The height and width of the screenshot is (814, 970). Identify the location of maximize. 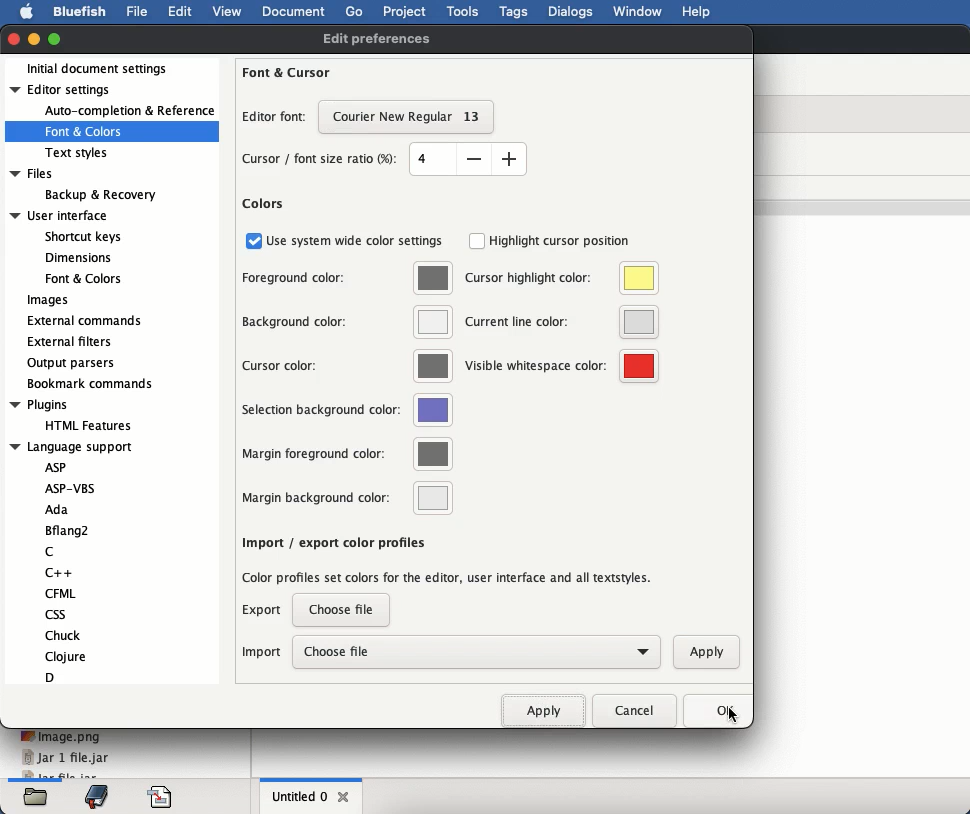
(56, 37).